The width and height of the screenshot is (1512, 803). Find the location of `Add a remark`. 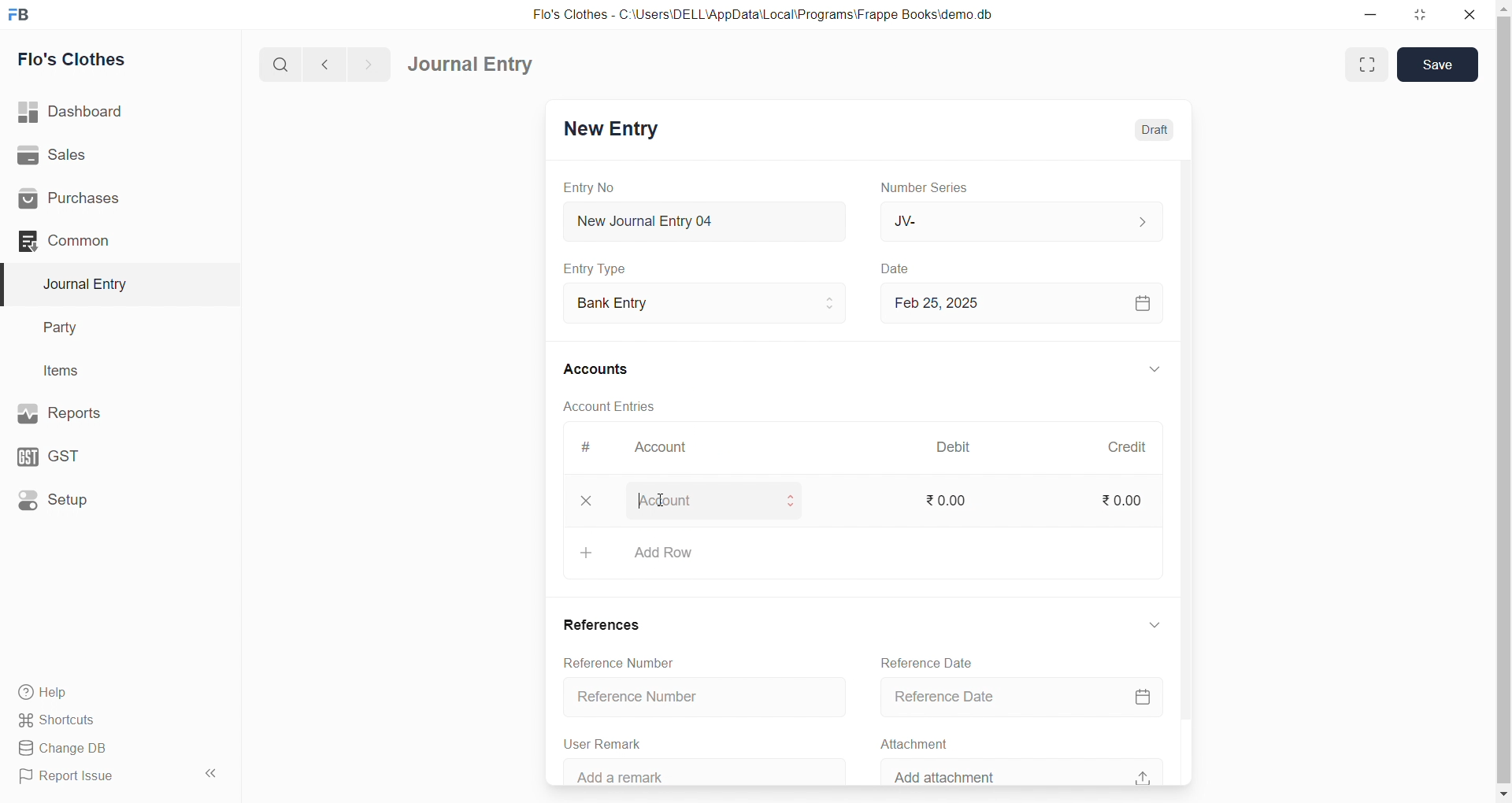

Add a remark is located at coordinates (699, 772).